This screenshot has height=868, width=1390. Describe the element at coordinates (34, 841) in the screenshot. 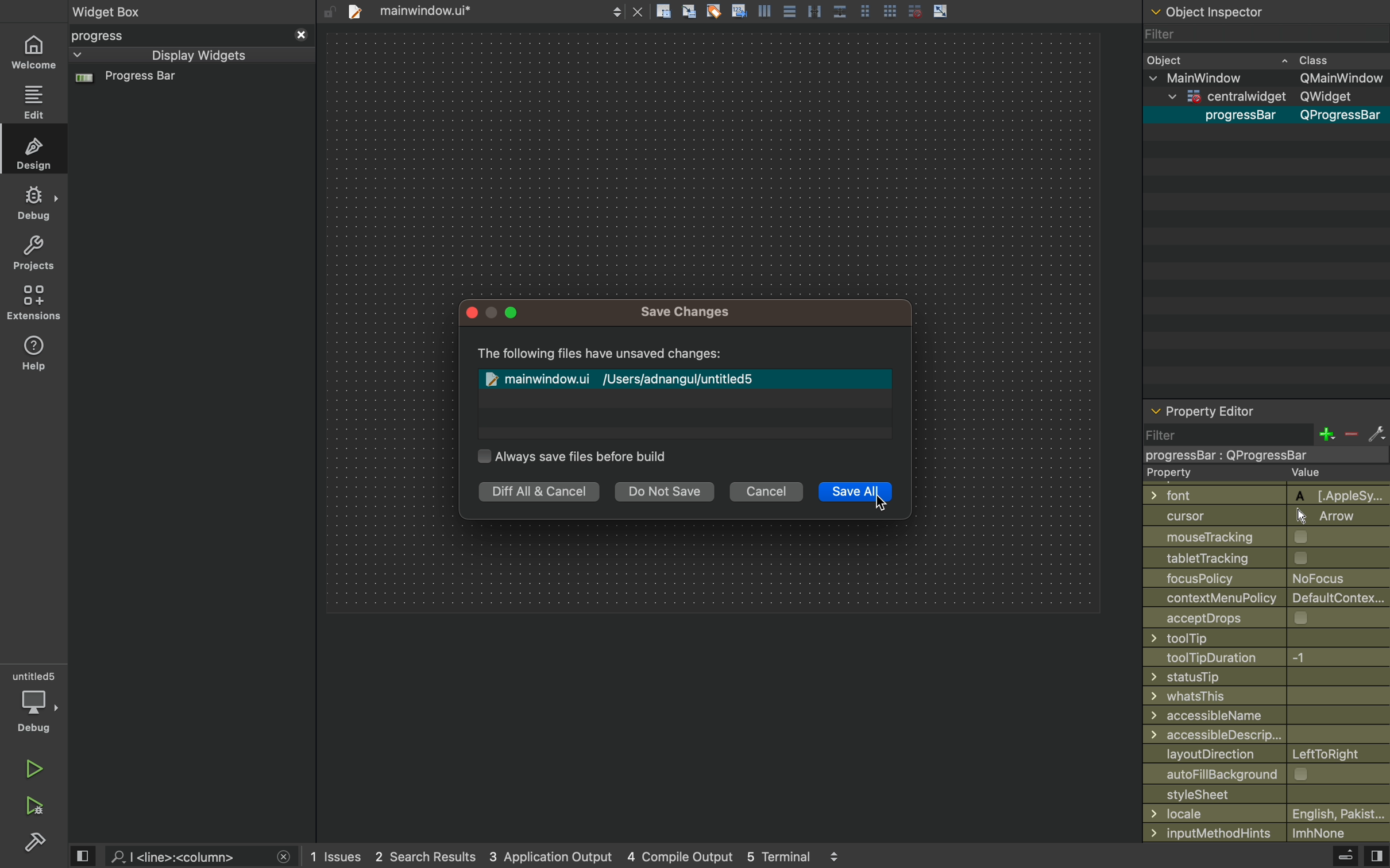

I see `Settings ` at that location.